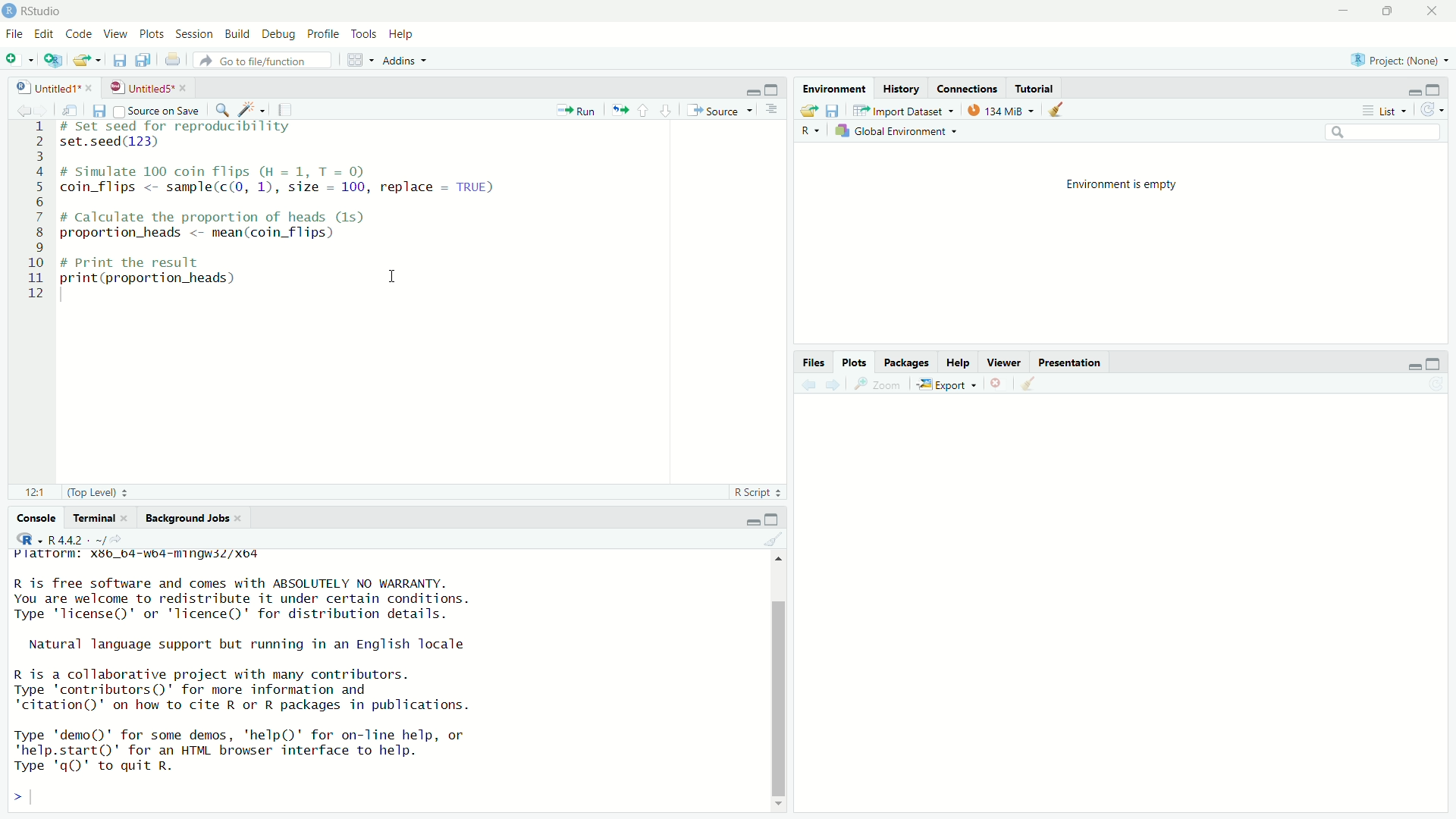  I want to click on R Script, so click(759, 492).